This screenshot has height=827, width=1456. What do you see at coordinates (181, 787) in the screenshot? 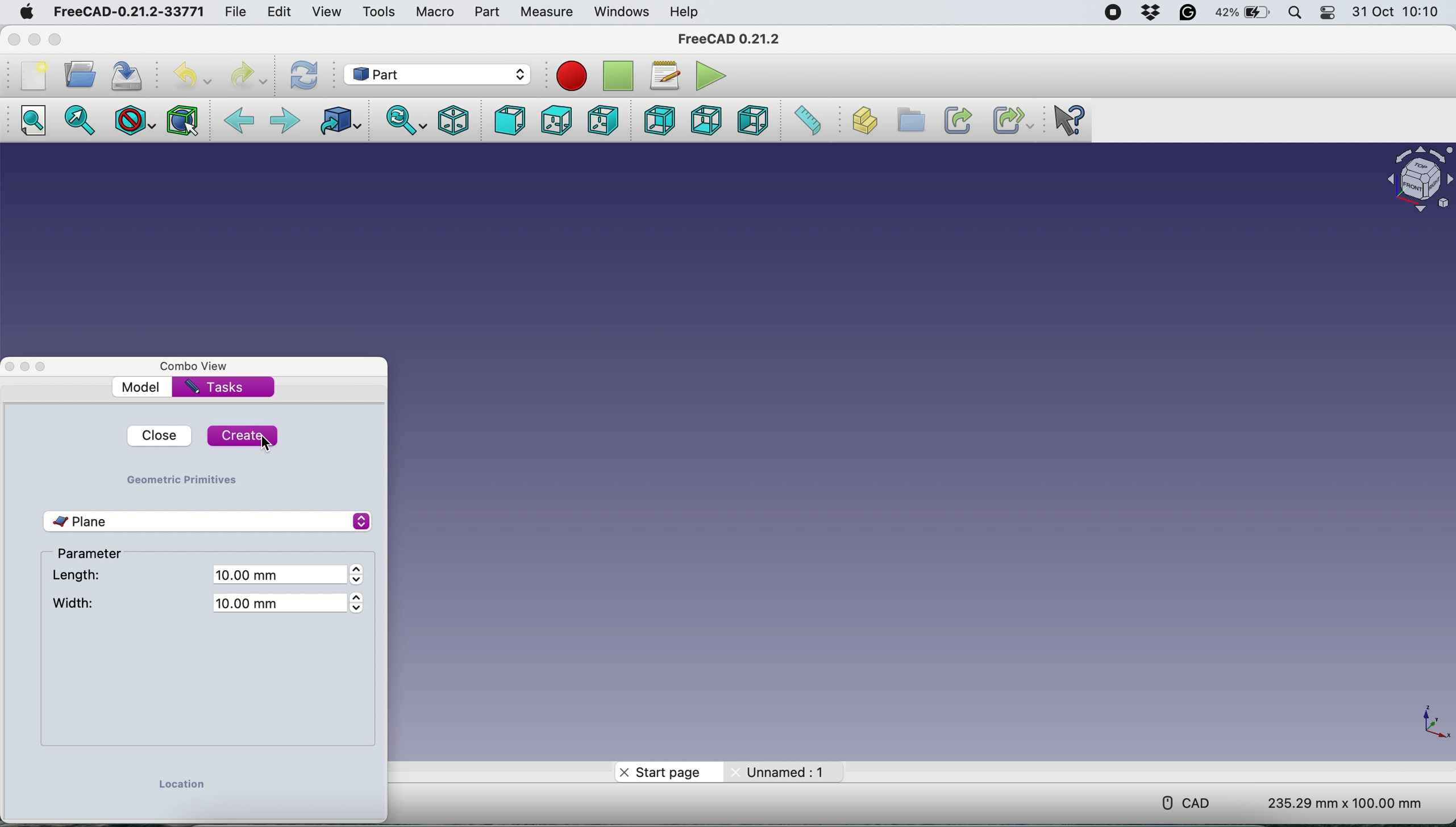
I see `location` at bounding box center [181, 787].